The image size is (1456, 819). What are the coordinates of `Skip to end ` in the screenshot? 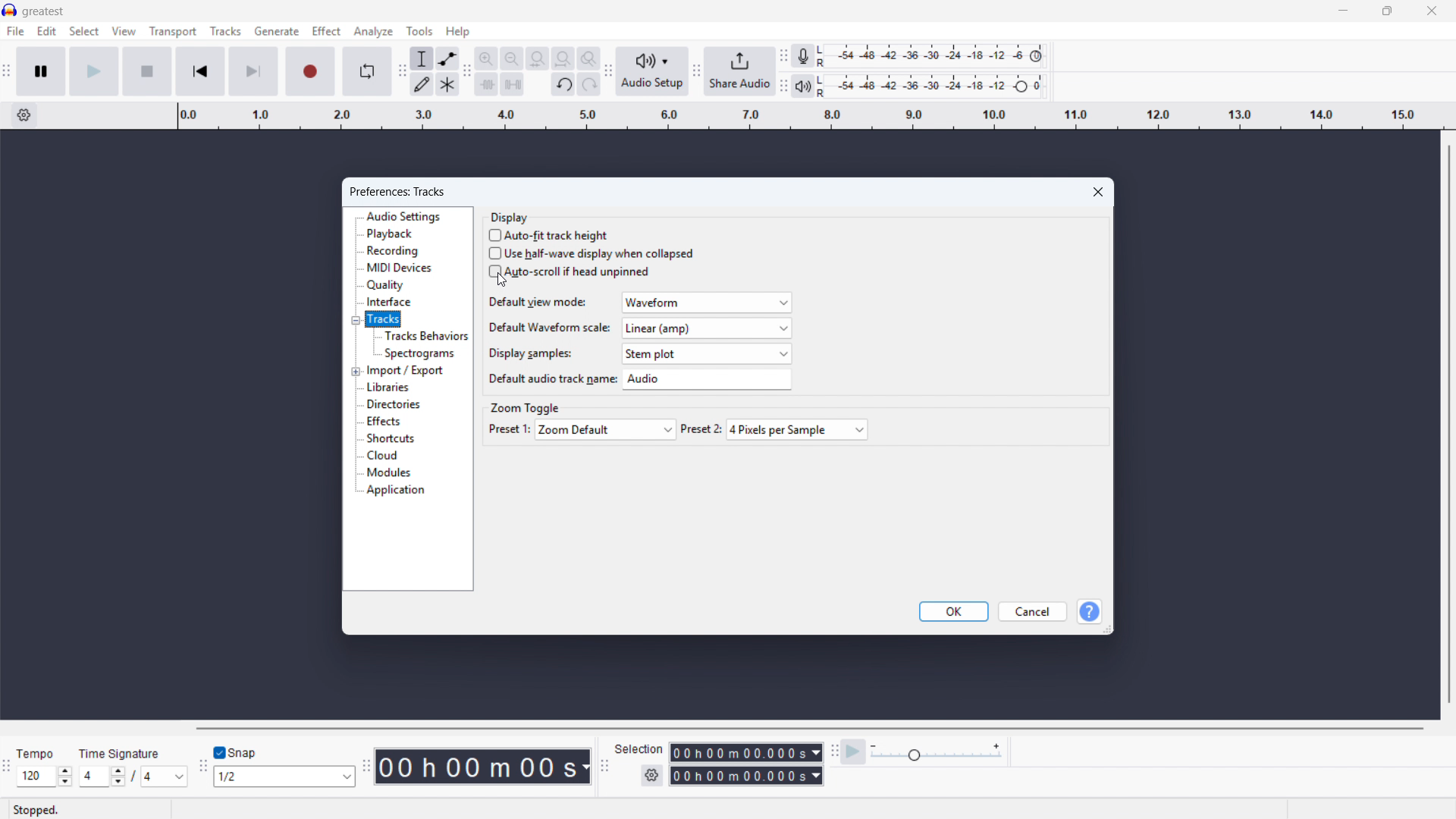 It's located at (253, 72).